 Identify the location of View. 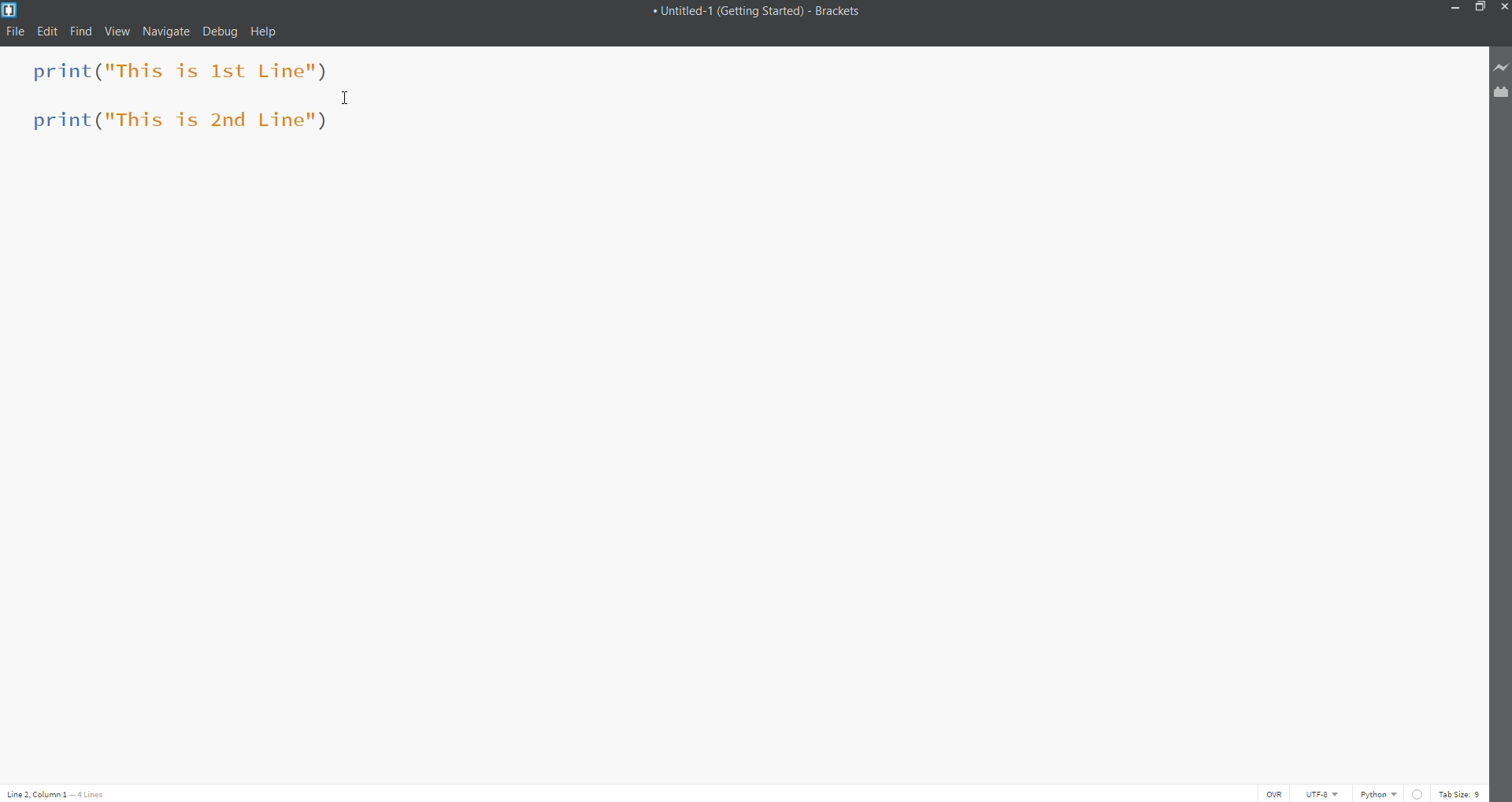
(117, 32).